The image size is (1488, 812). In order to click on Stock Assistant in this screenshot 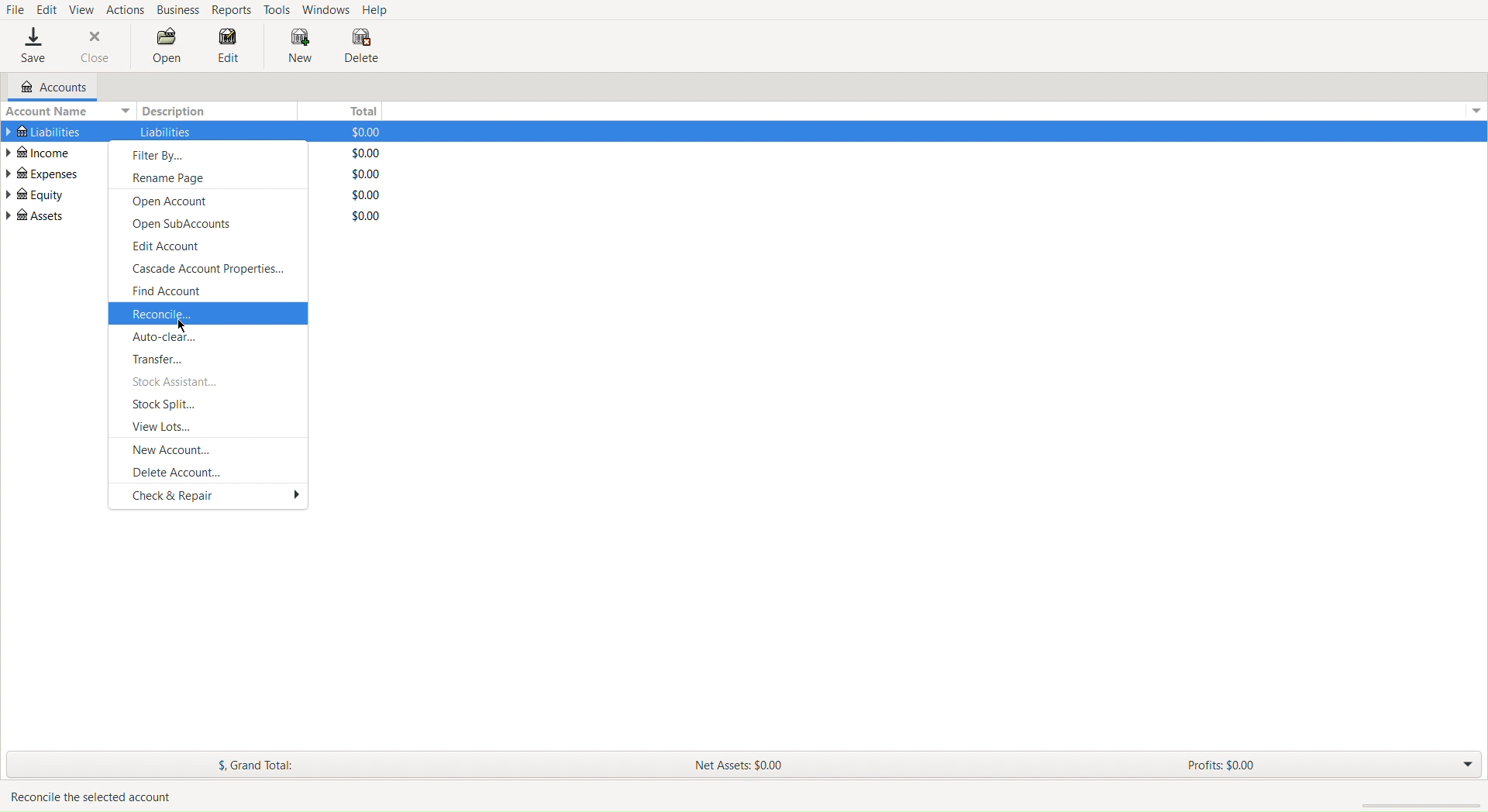, I will do `click(208, 384)`.